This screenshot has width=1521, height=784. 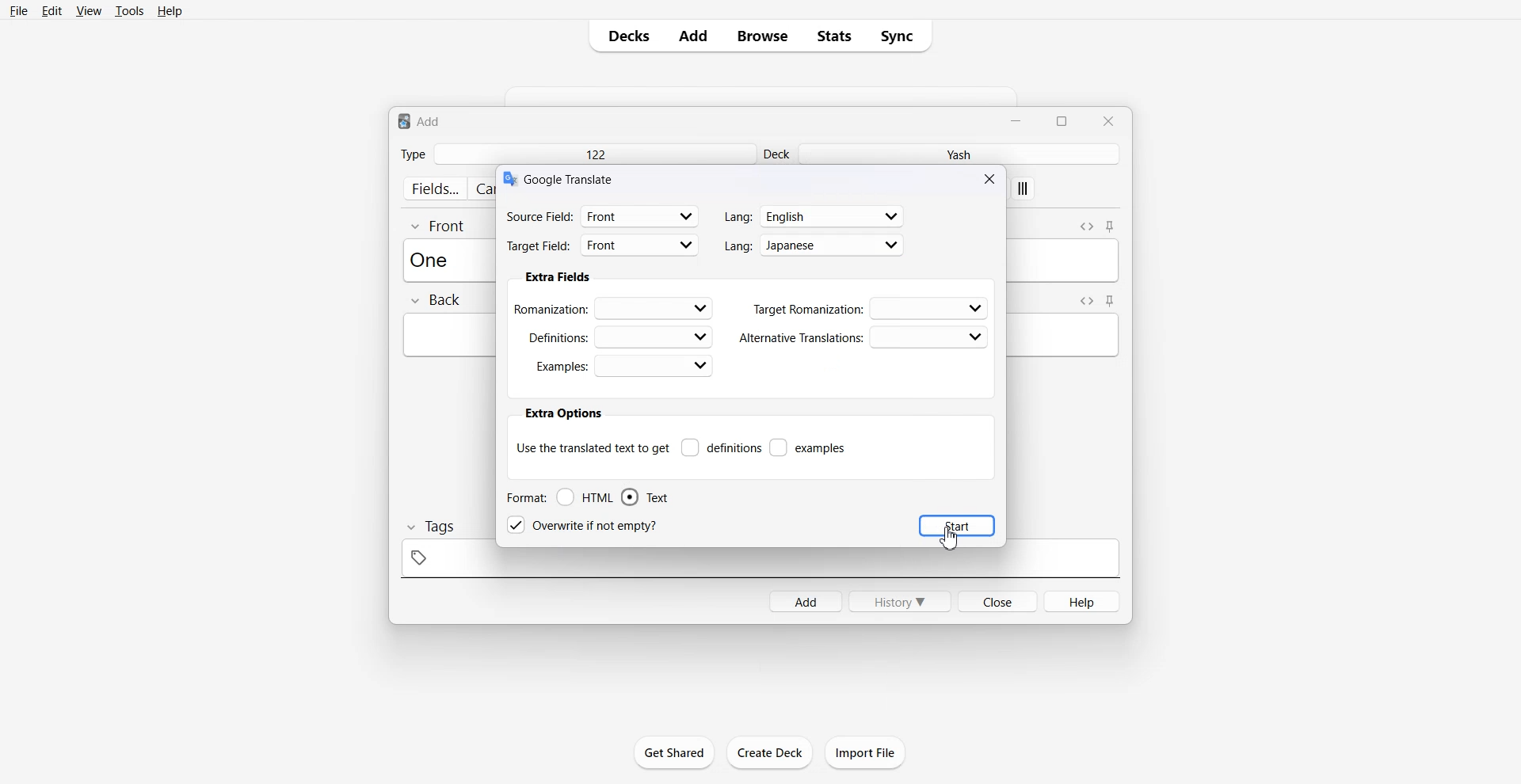 What do you see at coordinates (769, 752) in the screenshot?
I see `Create Deck` at bounding box center [769, 752].